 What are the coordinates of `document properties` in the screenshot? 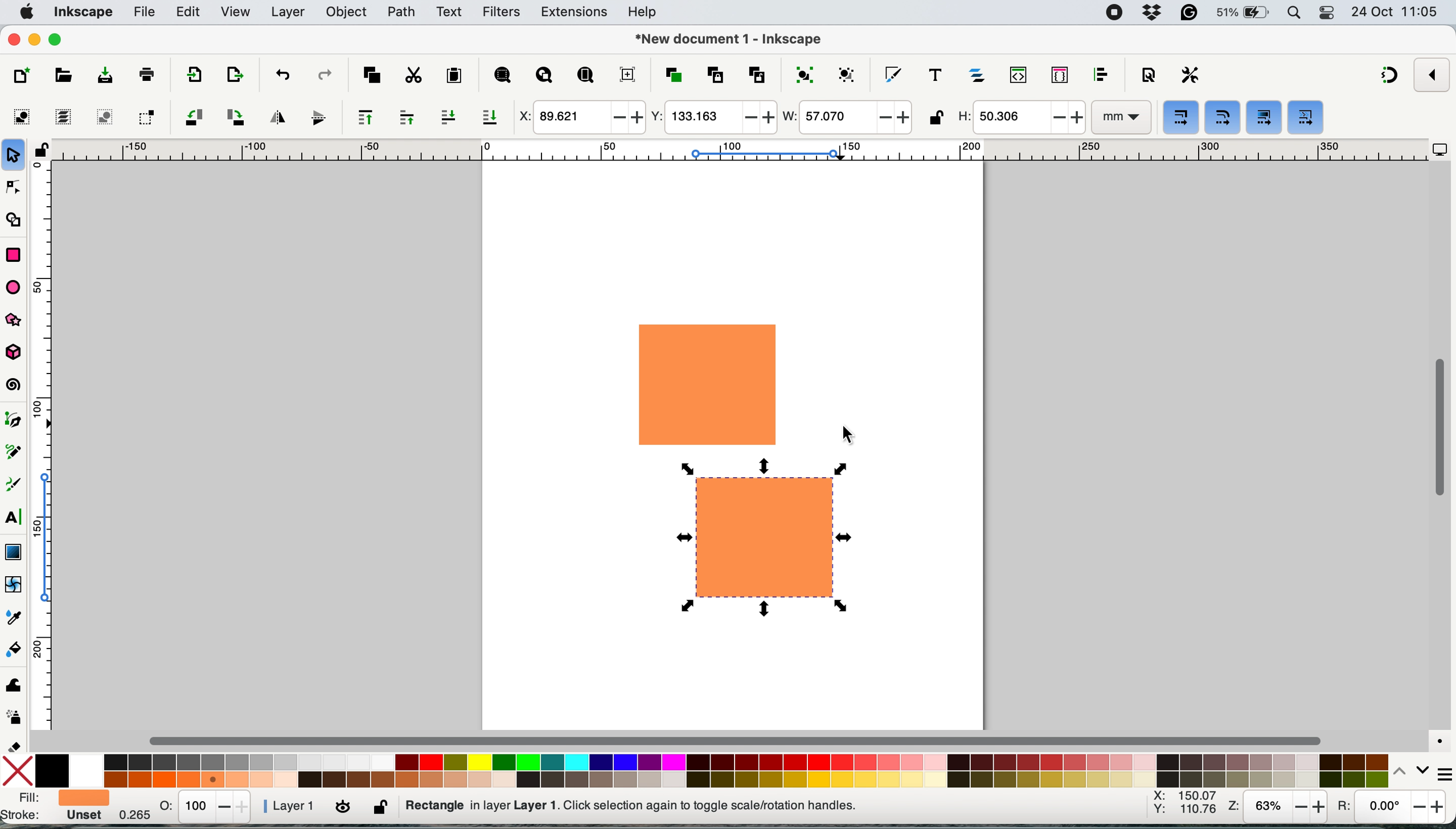 It's located at (1148, 76).